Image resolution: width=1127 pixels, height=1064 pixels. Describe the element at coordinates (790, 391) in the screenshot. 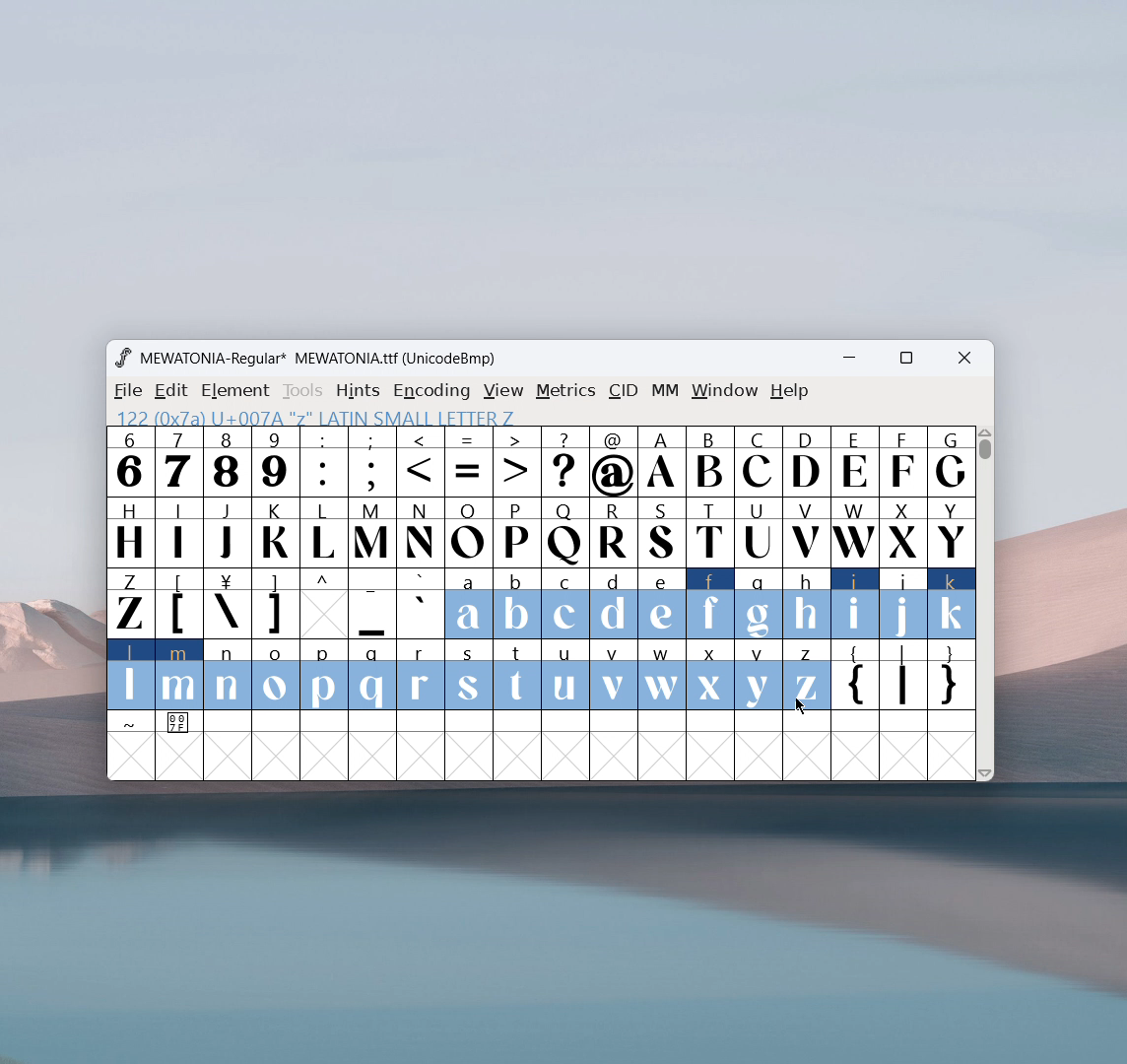

I see `help` at that location.